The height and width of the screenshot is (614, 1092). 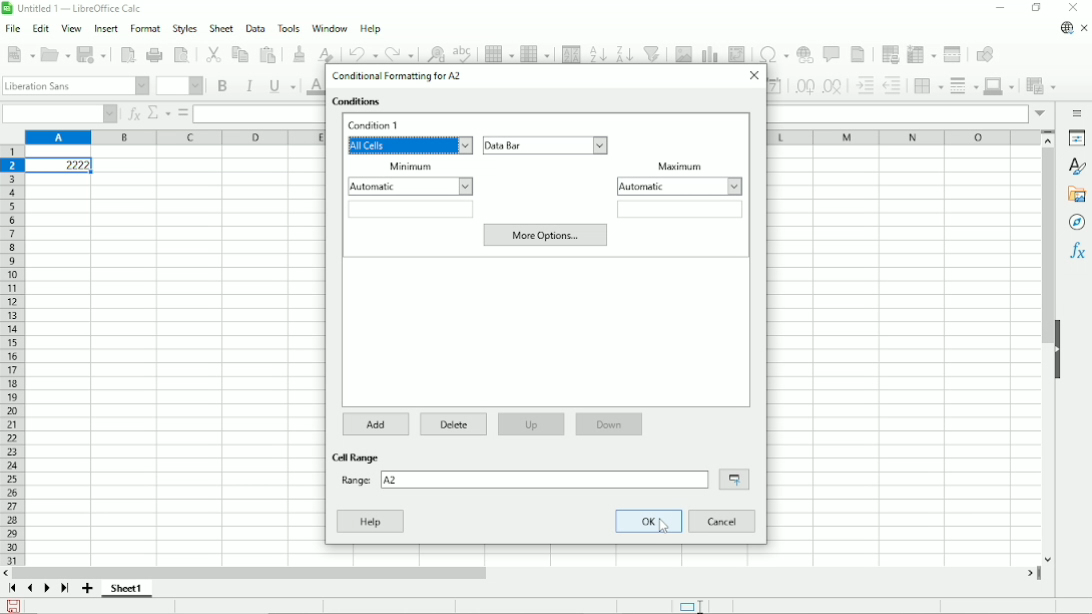 What do you see at coordinates (159, 112) in the screenshot?
I see `Select function` at bounding box center [159, 112].